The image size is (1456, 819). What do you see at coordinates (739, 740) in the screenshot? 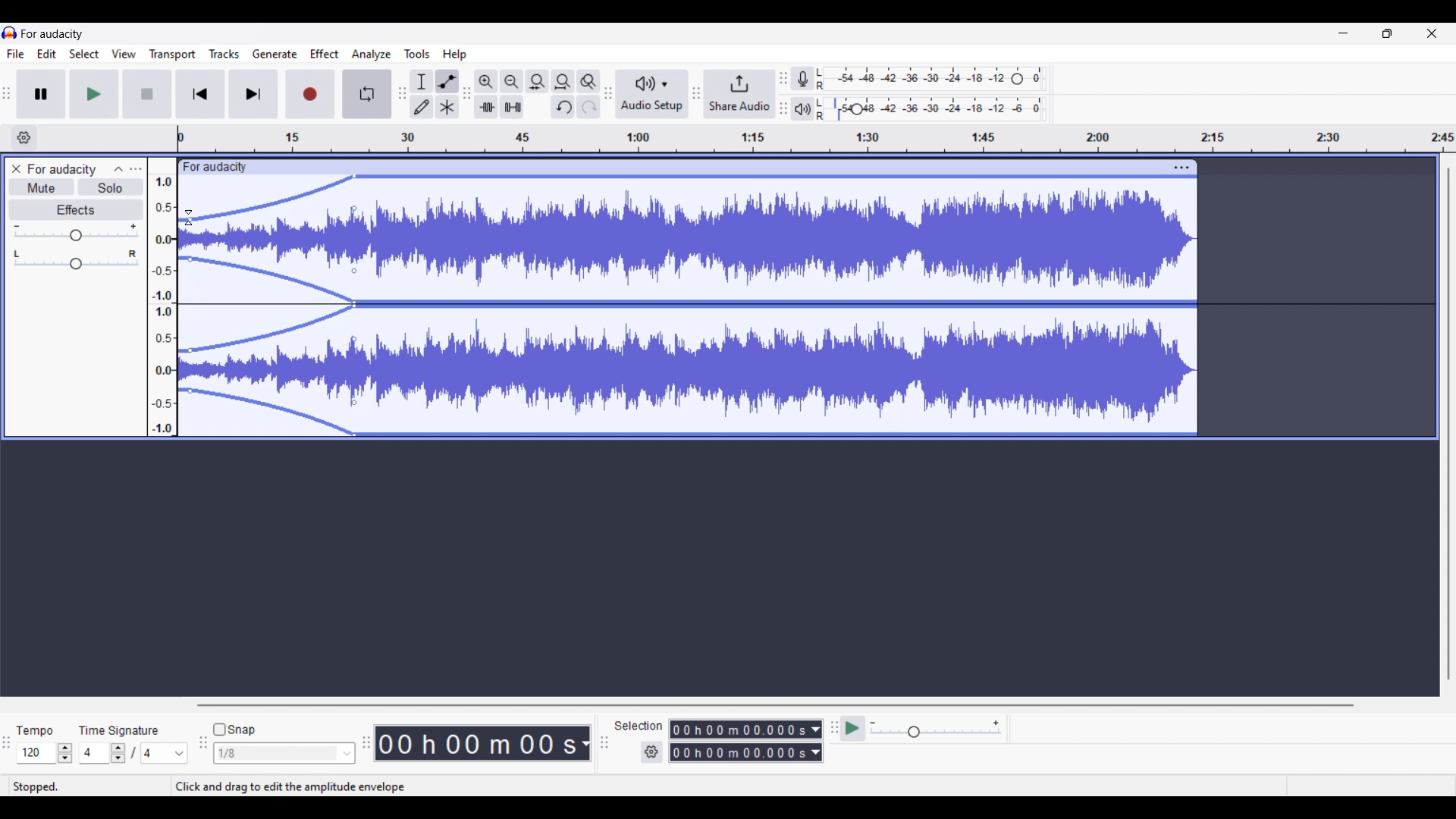
I see `Selection duration` at bounding box center [739, 740].